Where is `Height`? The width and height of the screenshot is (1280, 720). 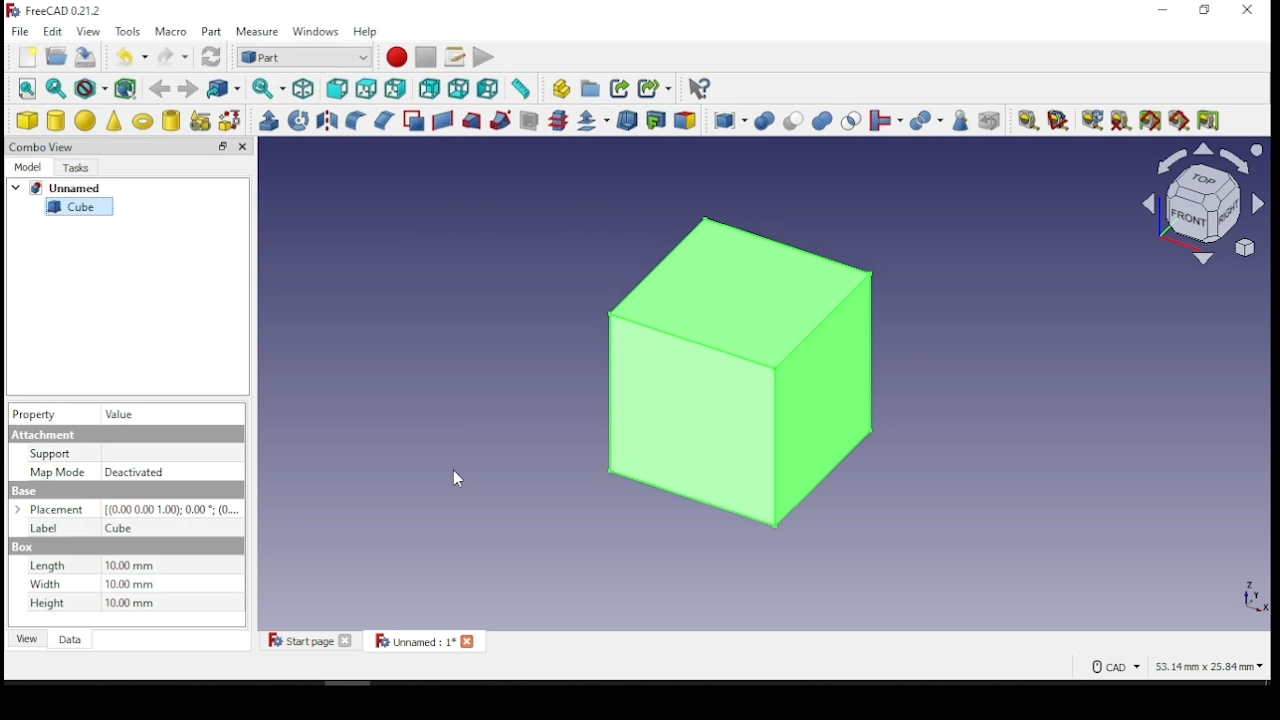
Height is located at coordinates (45, 603).